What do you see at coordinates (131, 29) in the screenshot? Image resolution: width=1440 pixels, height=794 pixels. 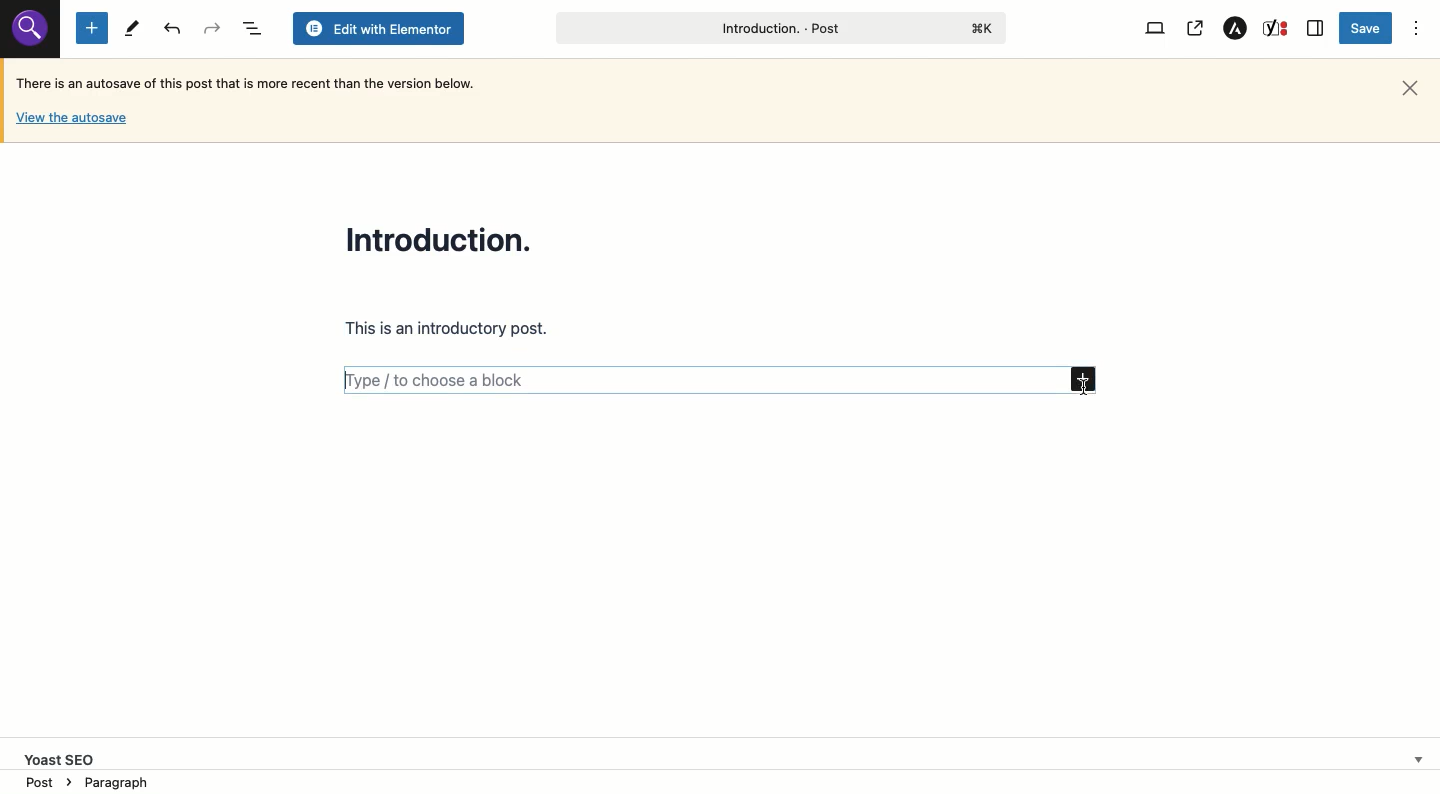 I see `Tools` at bounding box center [131, 29].